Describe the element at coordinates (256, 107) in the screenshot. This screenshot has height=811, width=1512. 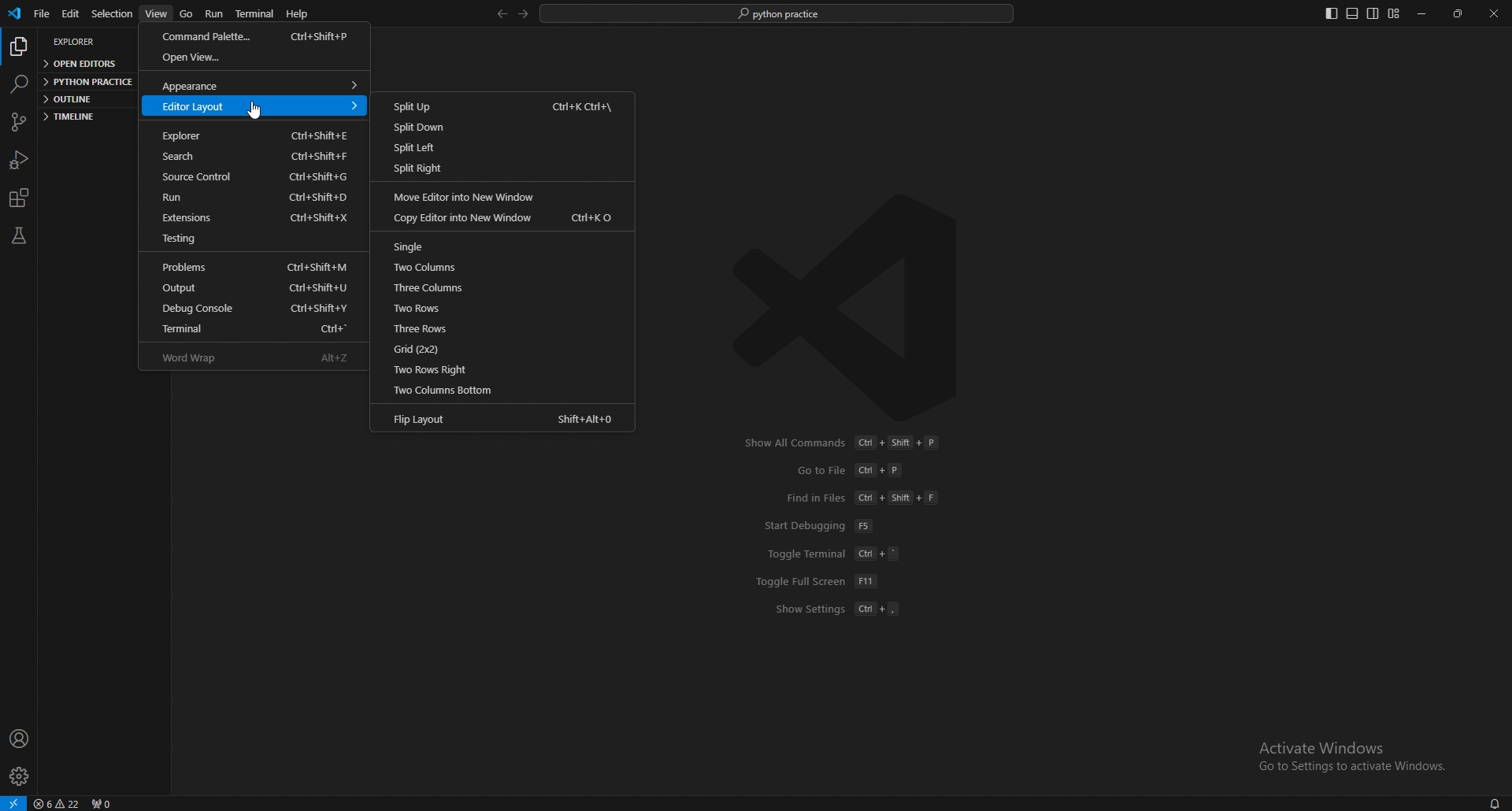
I see `editor layout` at that location.